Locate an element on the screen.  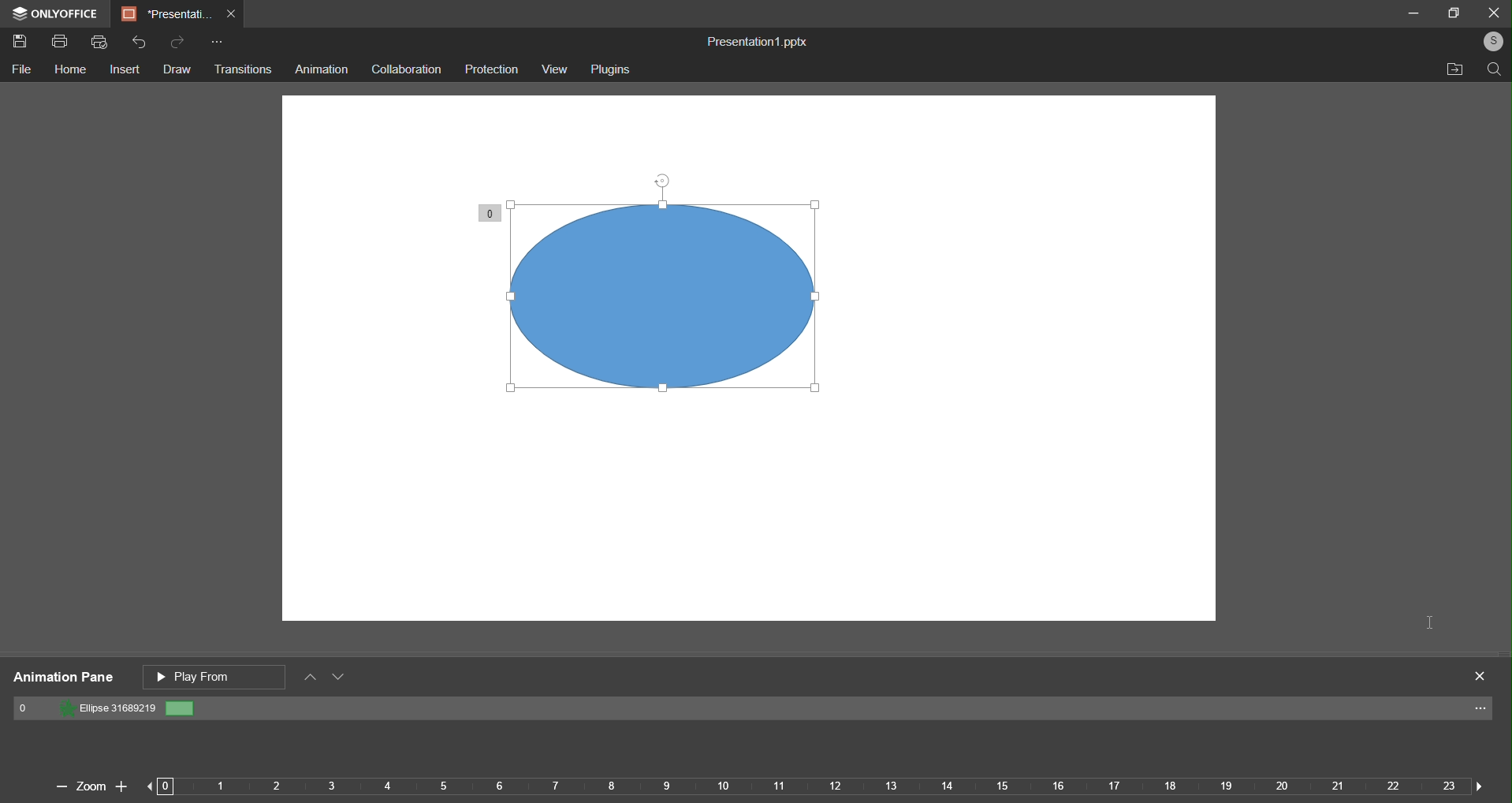
close is located at coordinates (1493, 11).